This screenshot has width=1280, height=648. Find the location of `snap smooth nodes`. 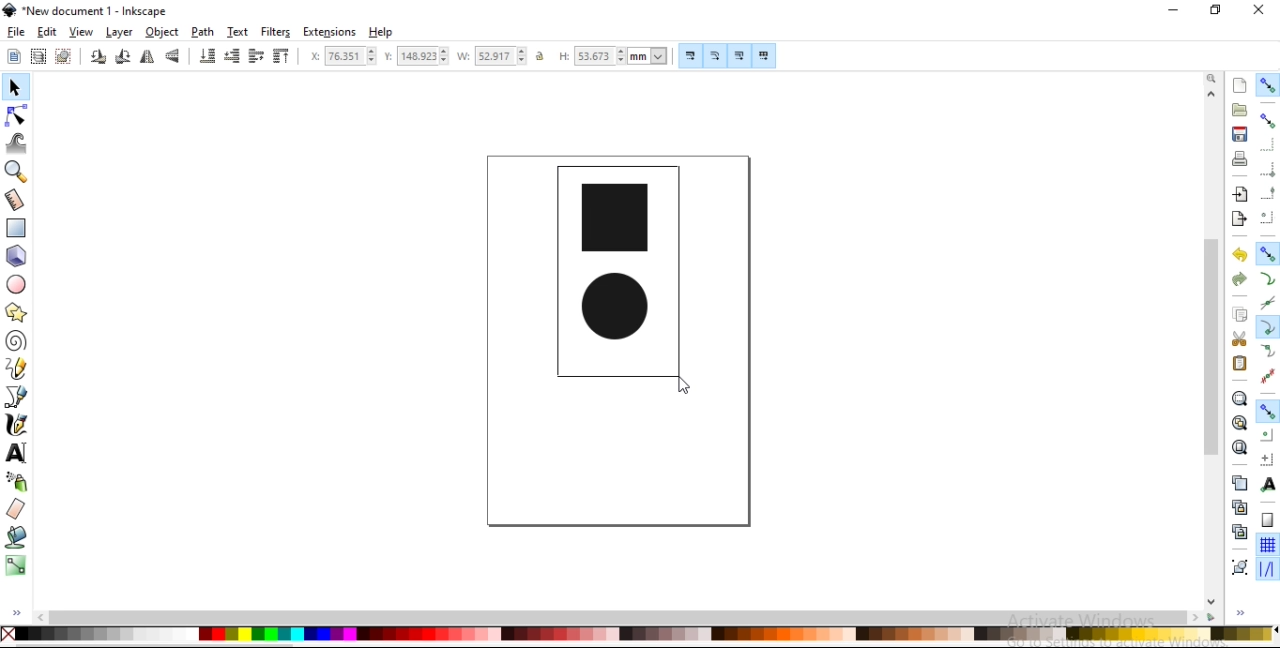

snap smooth nodes is located at coordinates (1267, 351).